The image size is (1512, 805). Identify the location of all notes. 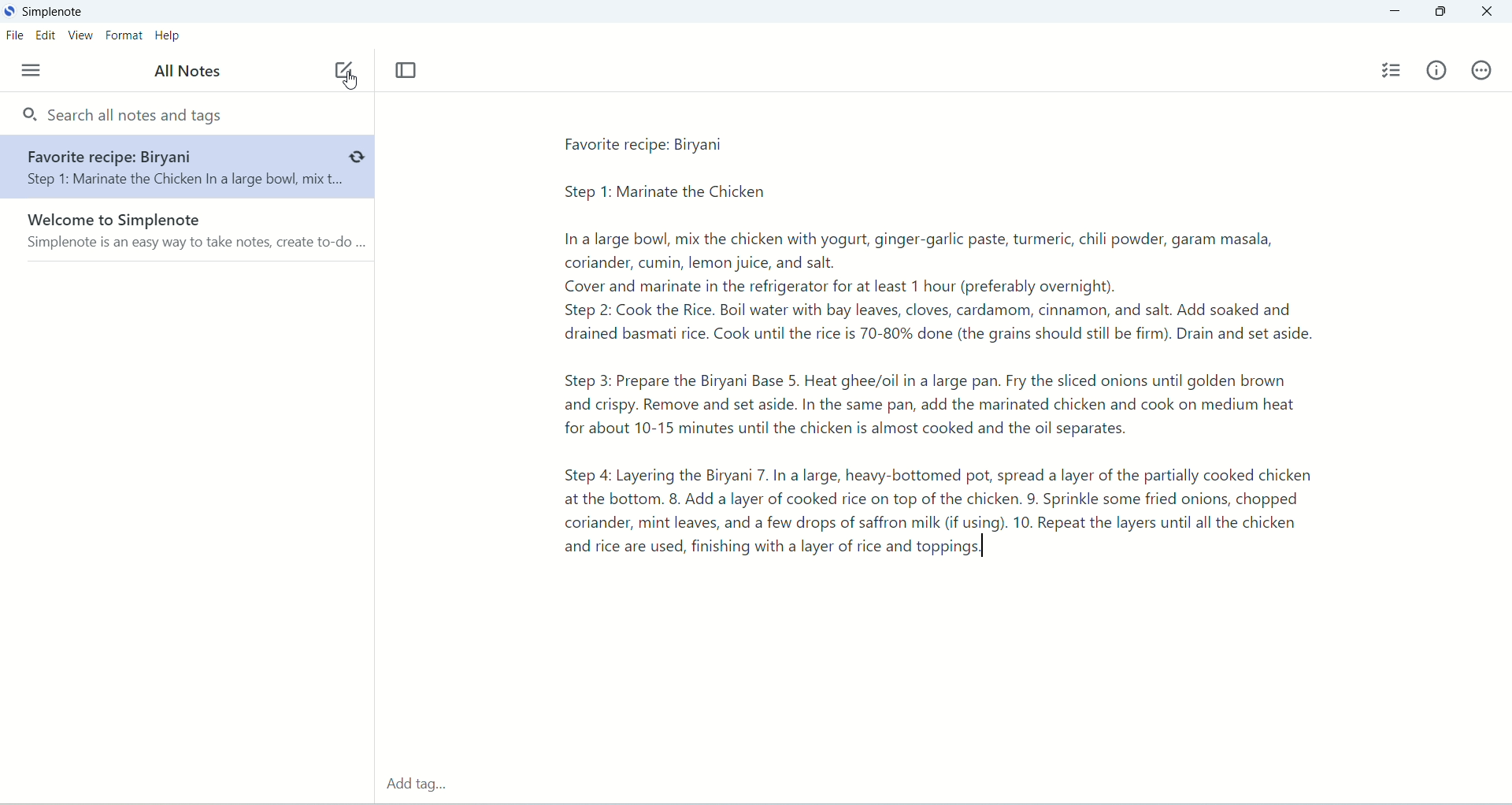
(186, 72).